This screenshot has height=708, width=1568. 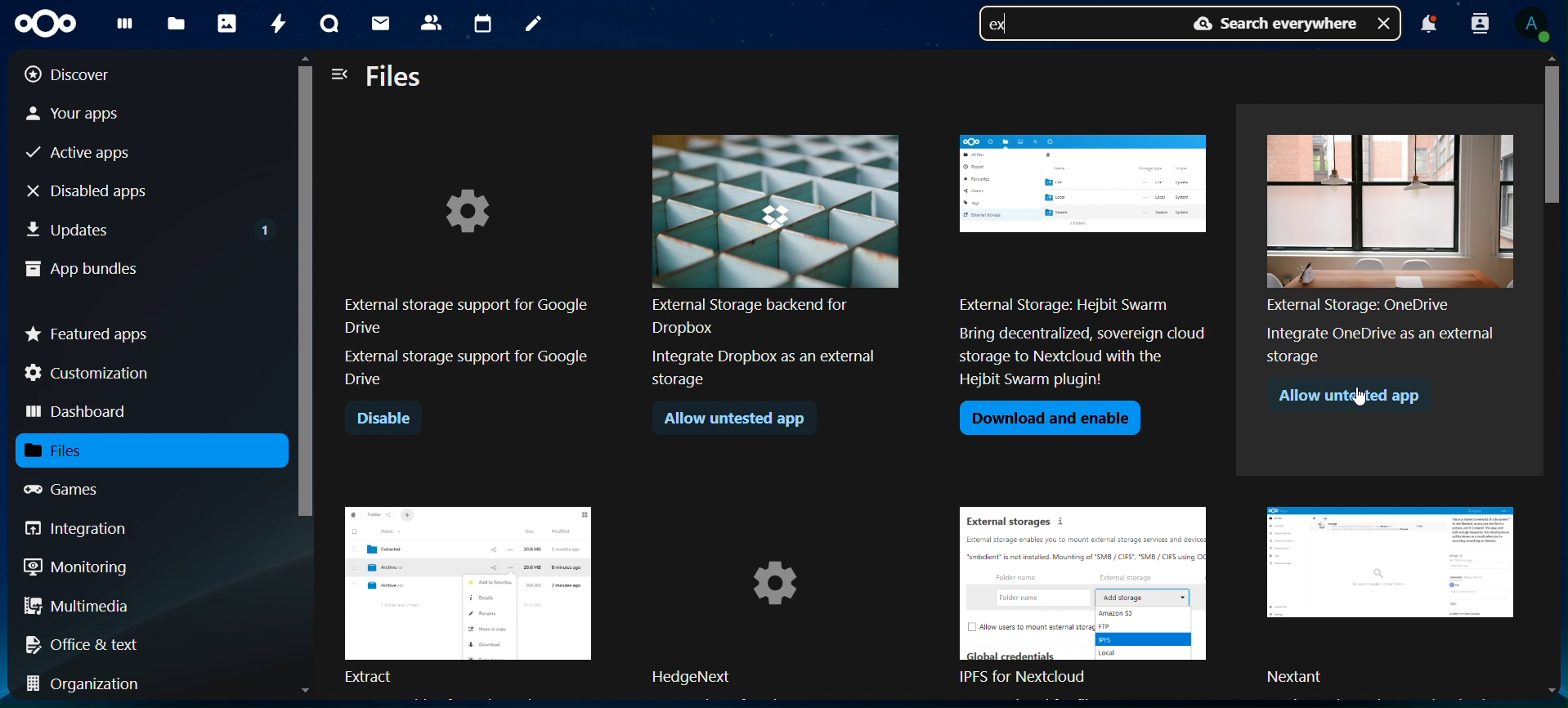 What do you see at coordinates (82, 271) in the screenshot?
I see `app bundles` at bounding box center [82, 271].